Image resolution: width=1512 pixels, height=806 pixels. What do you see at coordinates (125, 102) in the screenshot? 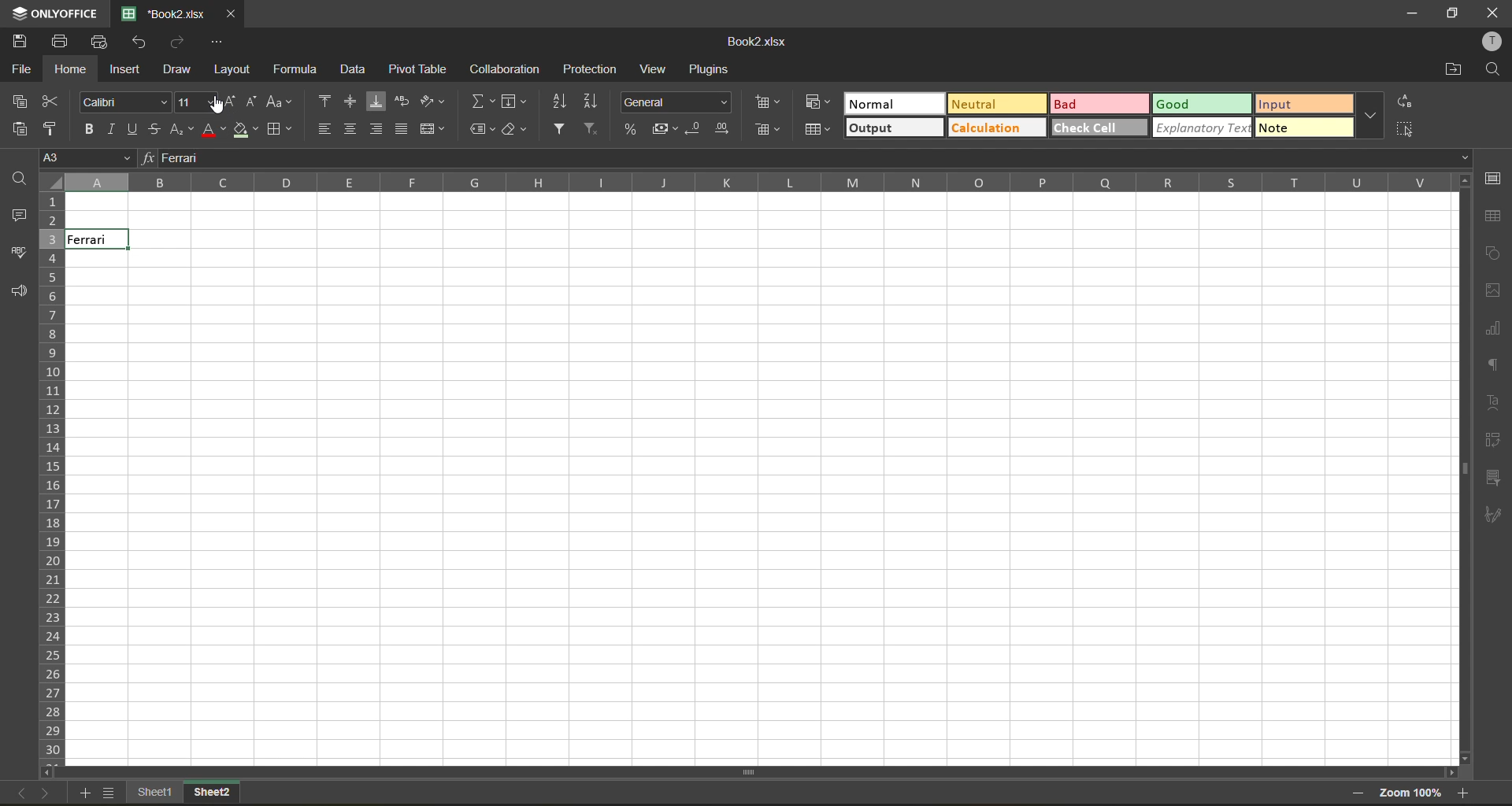
I see `font style` at bounding box center [125, 102].